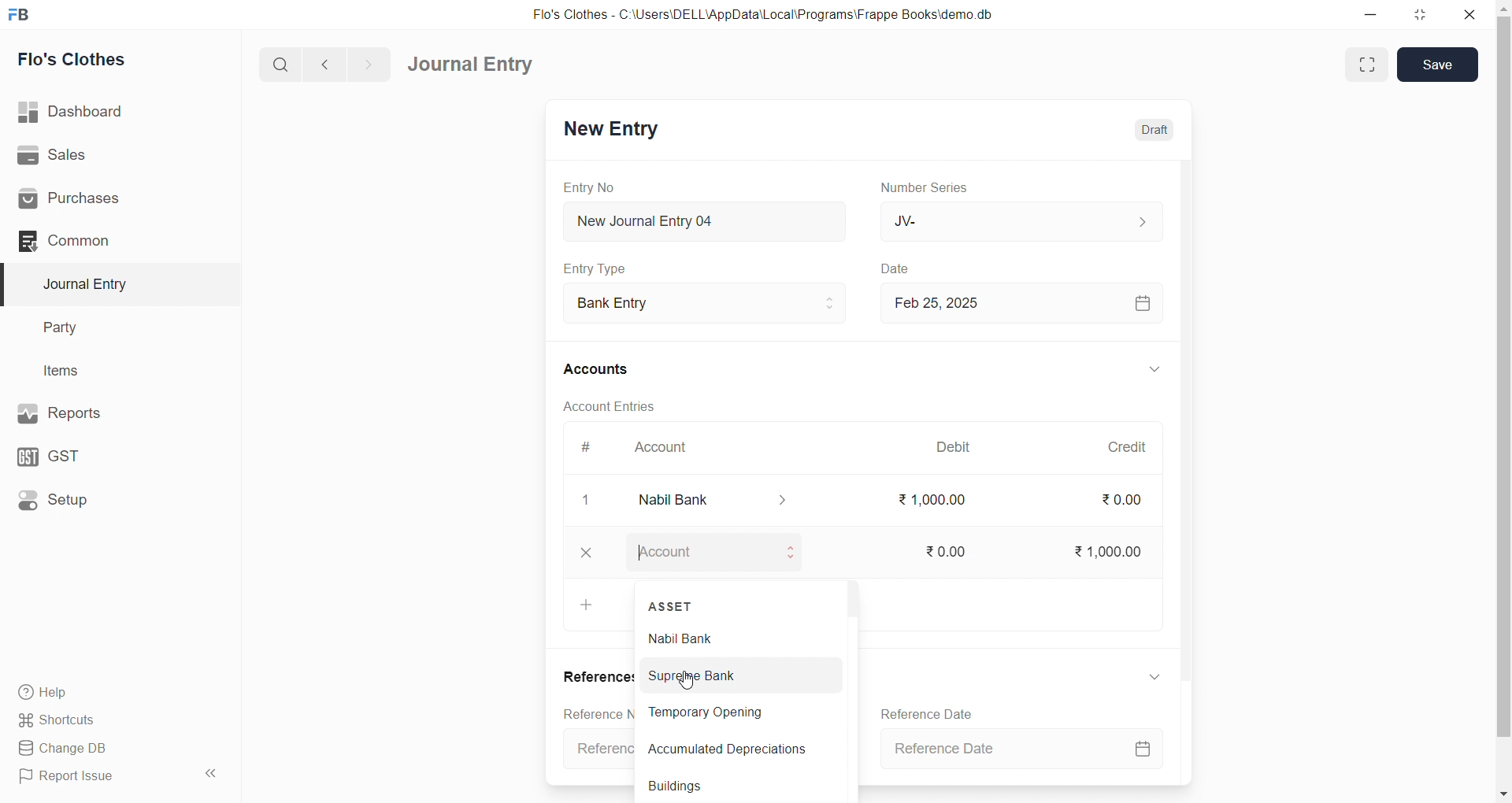 The width and height of the screenshot is (1512, 803). I want to click on resize, so click(1423, 14).